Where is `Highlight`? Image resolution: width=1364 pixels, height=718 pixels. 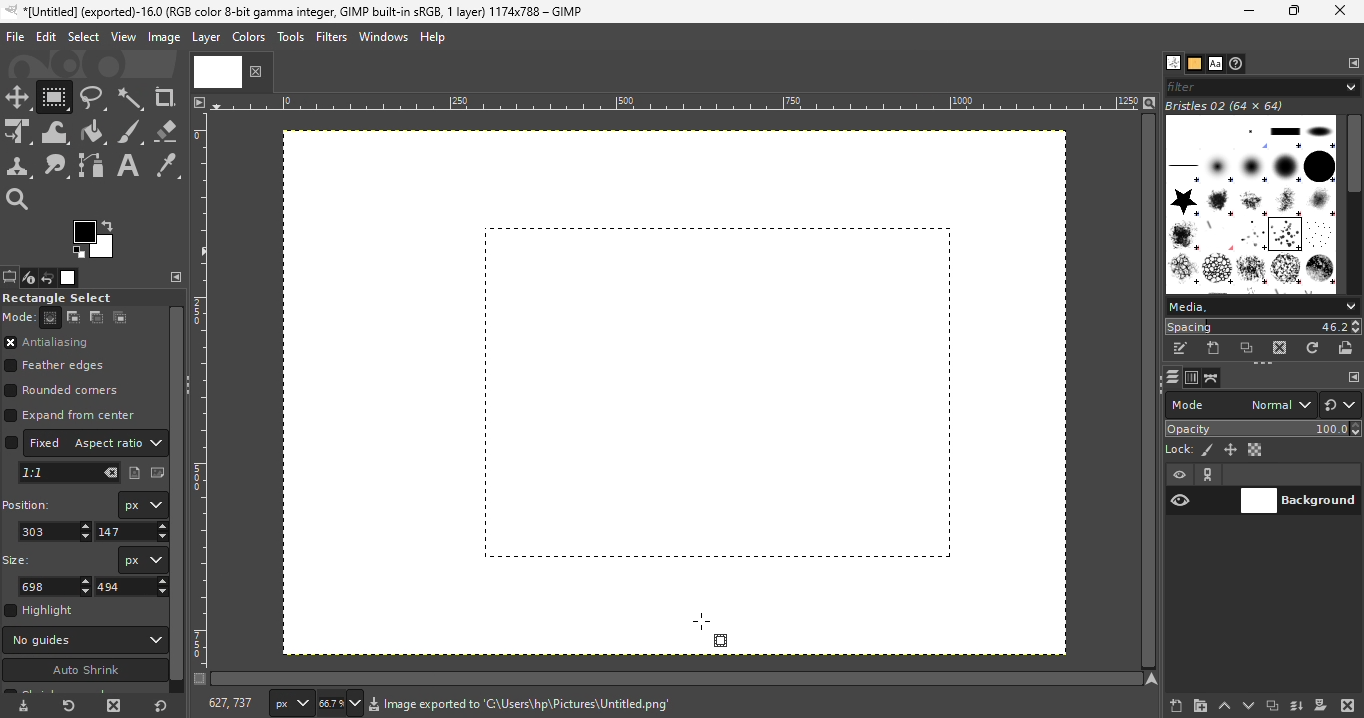
Highlight is located at coordinates (43, 611).